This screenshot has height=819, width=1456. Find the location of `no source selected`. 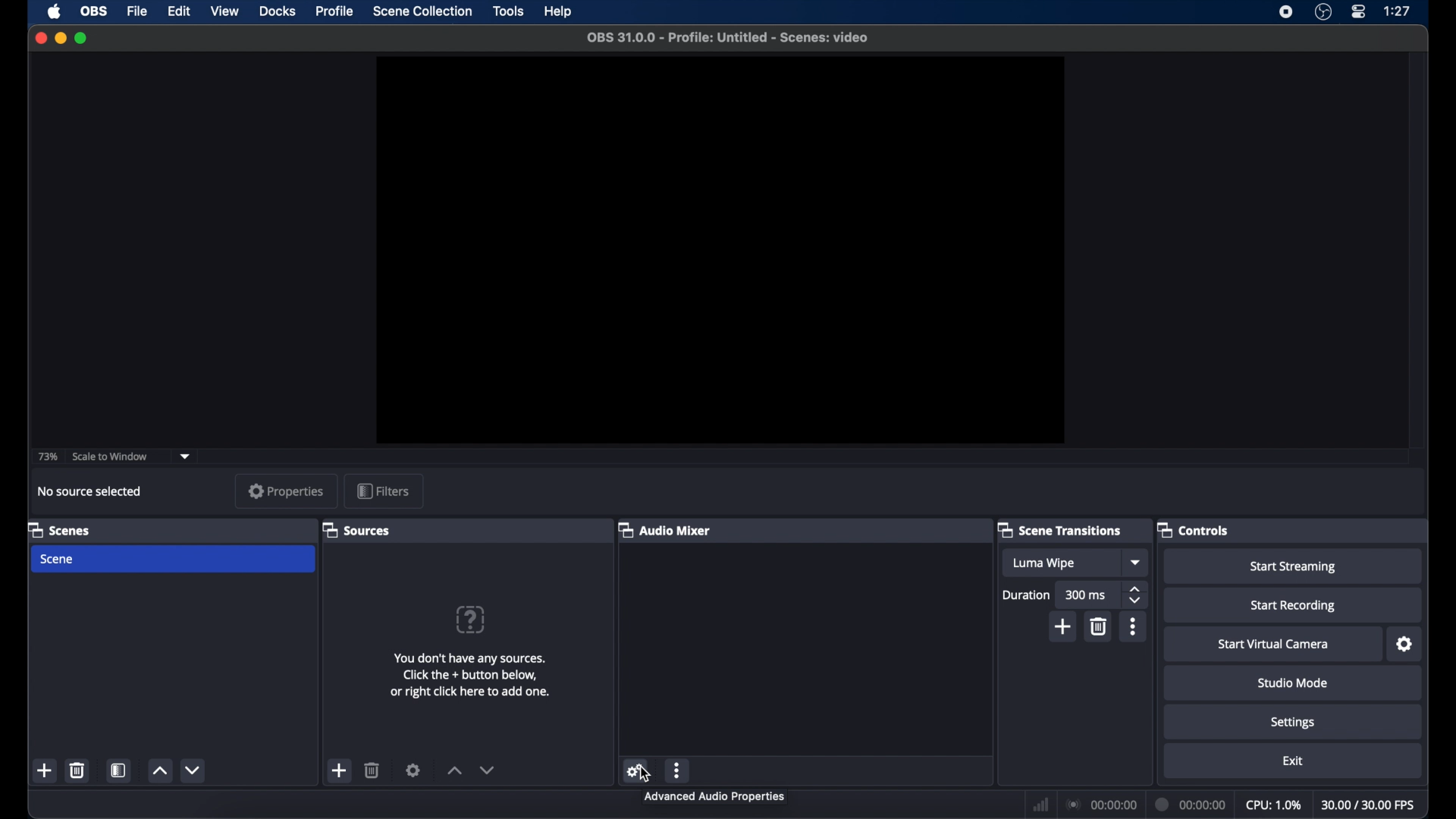

no source selected is located at coordinates (92, 491).